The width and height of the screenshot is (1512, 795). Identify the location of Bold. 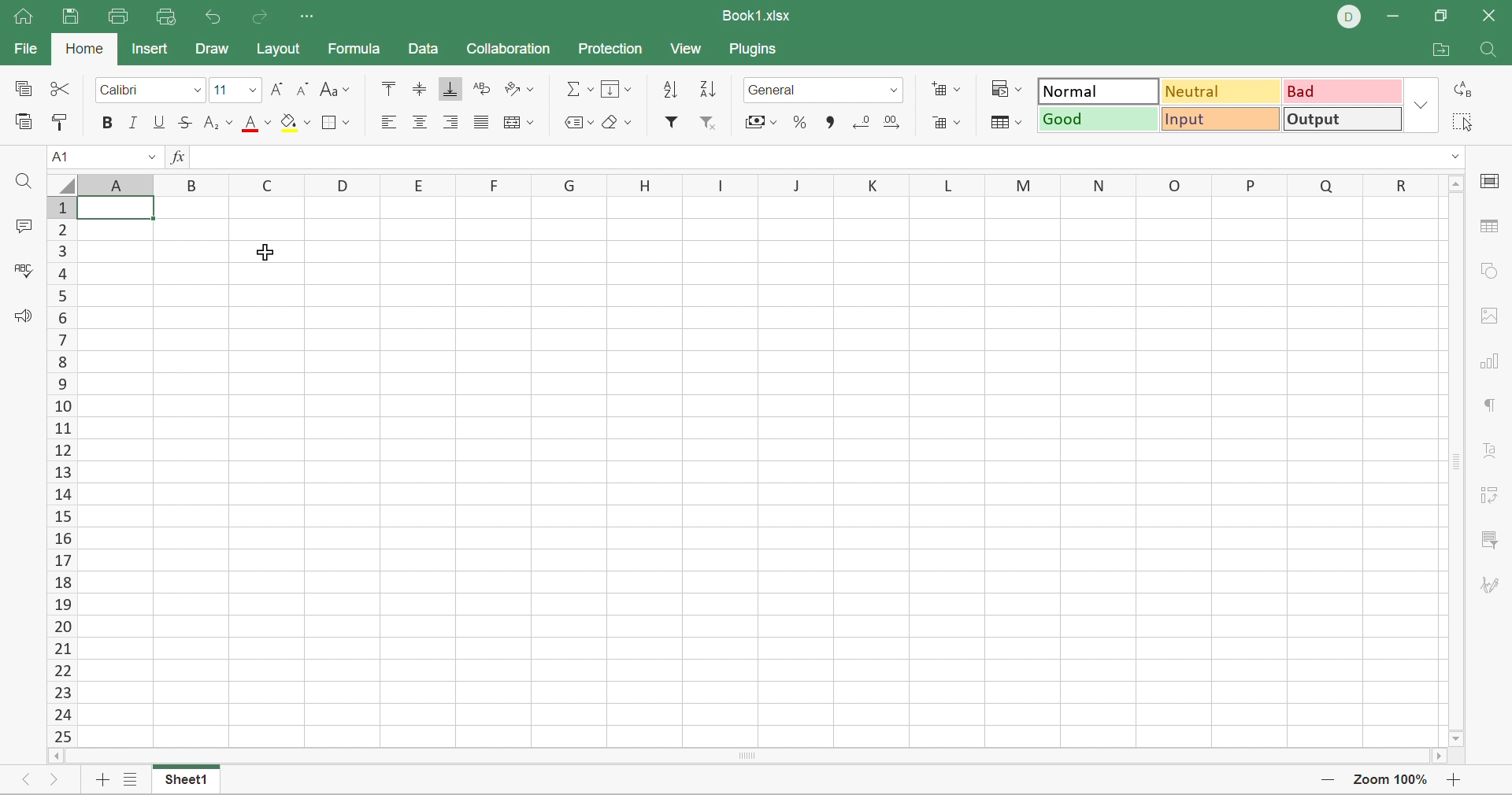
(108, 123).